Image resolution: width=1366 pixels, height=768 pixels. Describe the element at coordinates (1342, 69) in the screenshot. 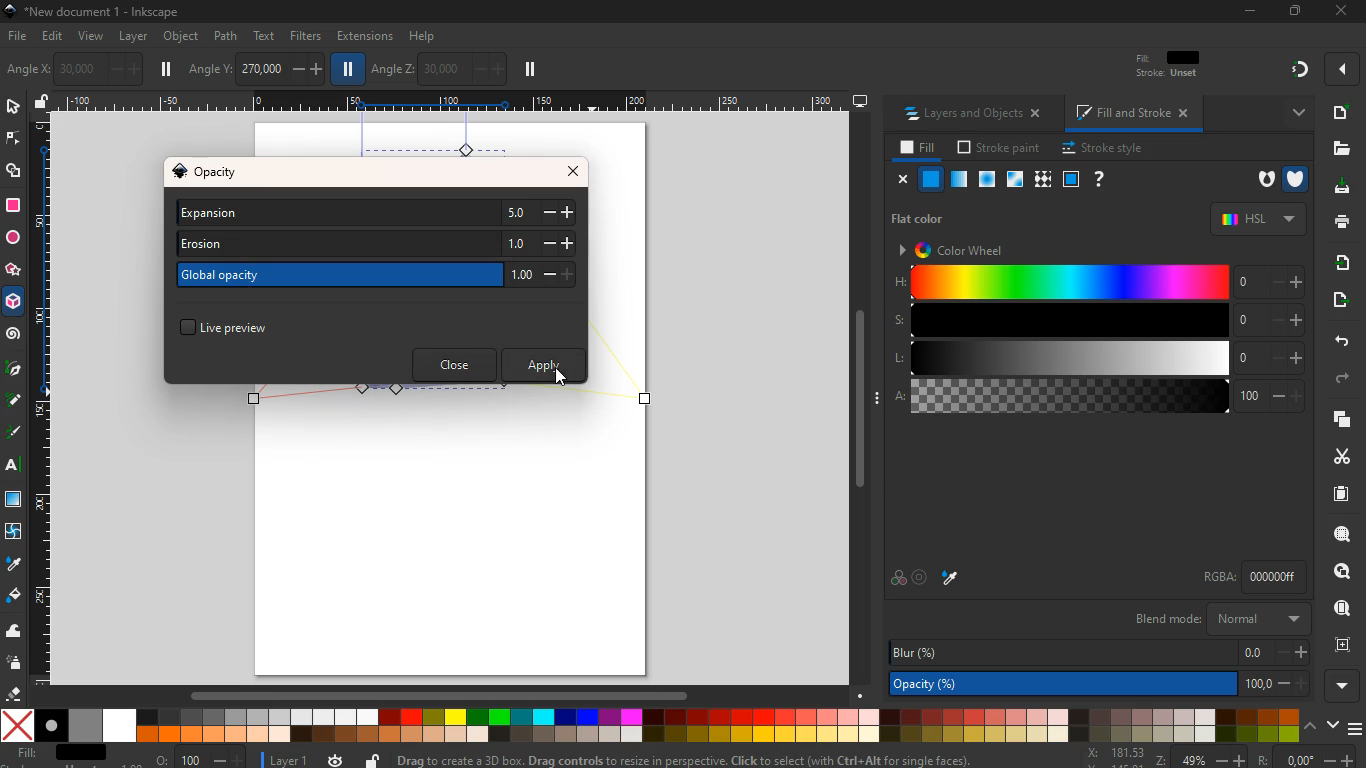

I see `more` at that location.